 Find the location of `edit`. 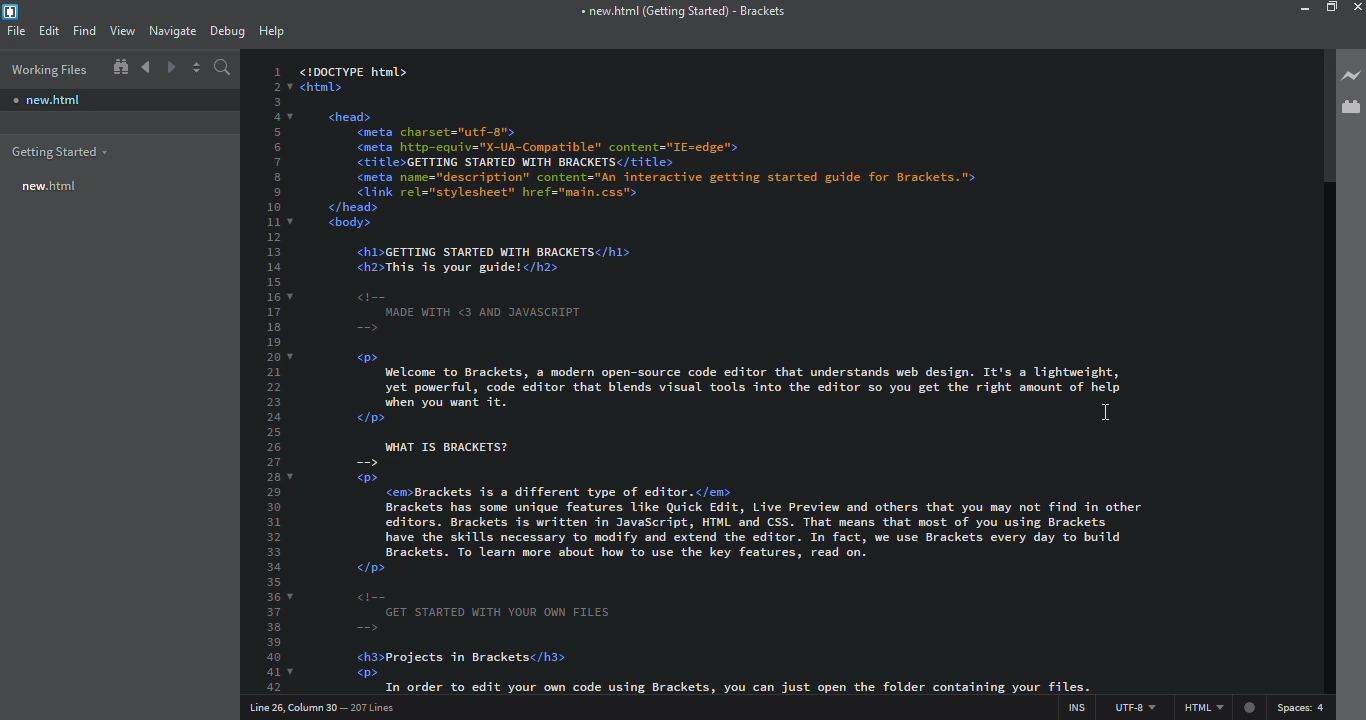

edit is located at coordinates (49, 30).